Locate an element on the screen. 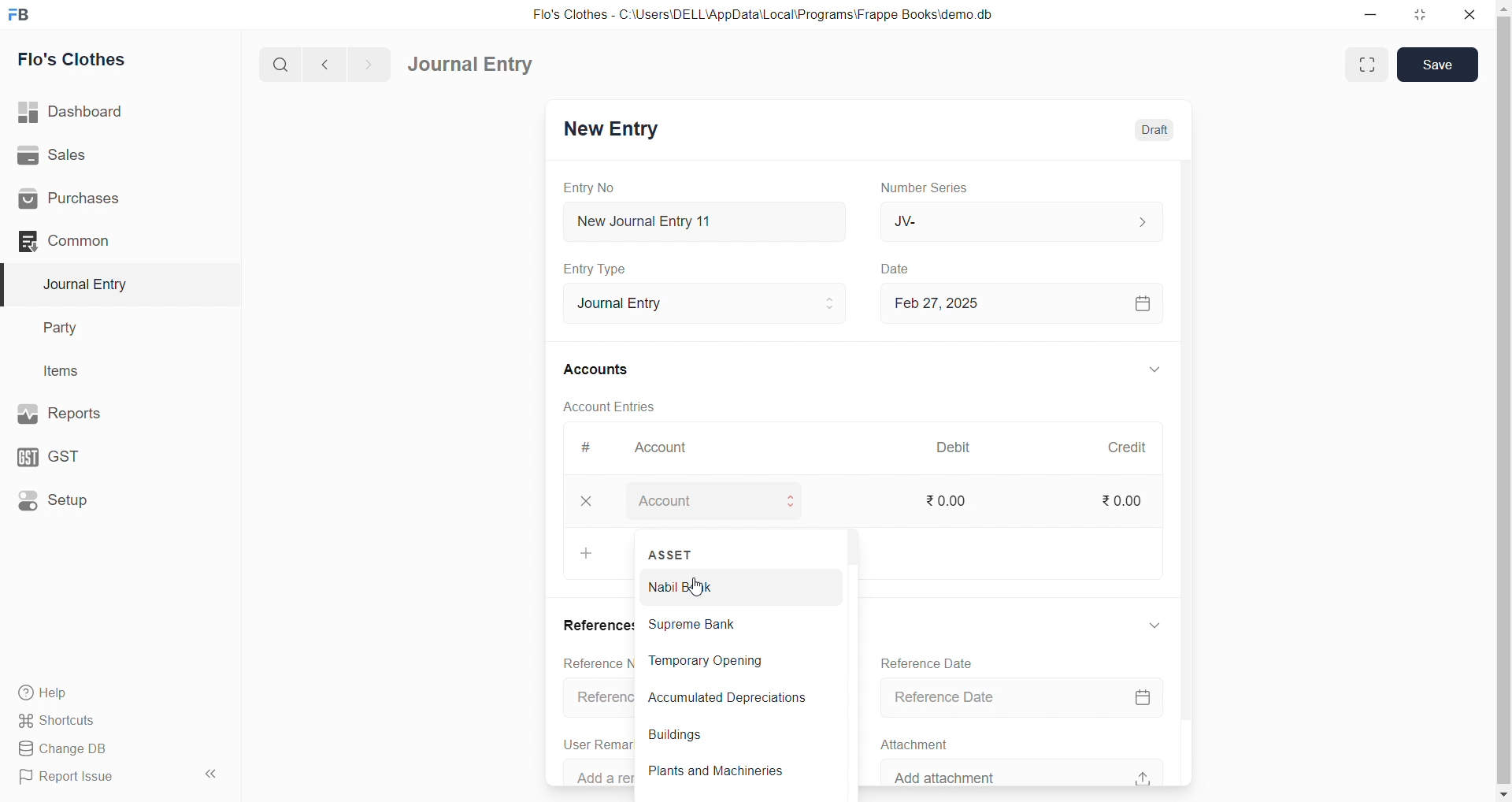  resize is located at coordinates (1418, 13).